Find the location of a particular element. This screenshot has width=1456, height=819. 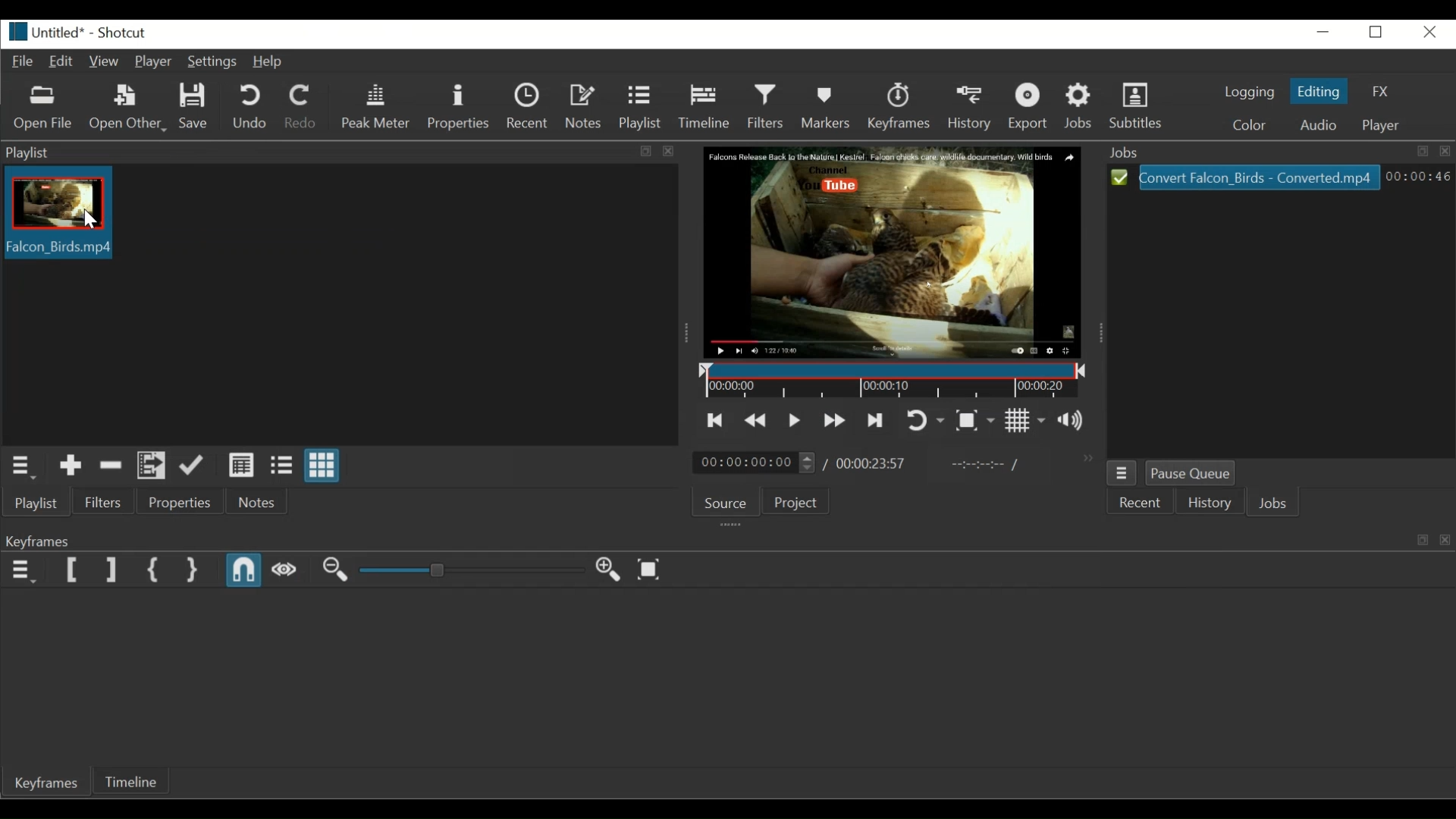

Keyframe is located at coordinates (48, 786).